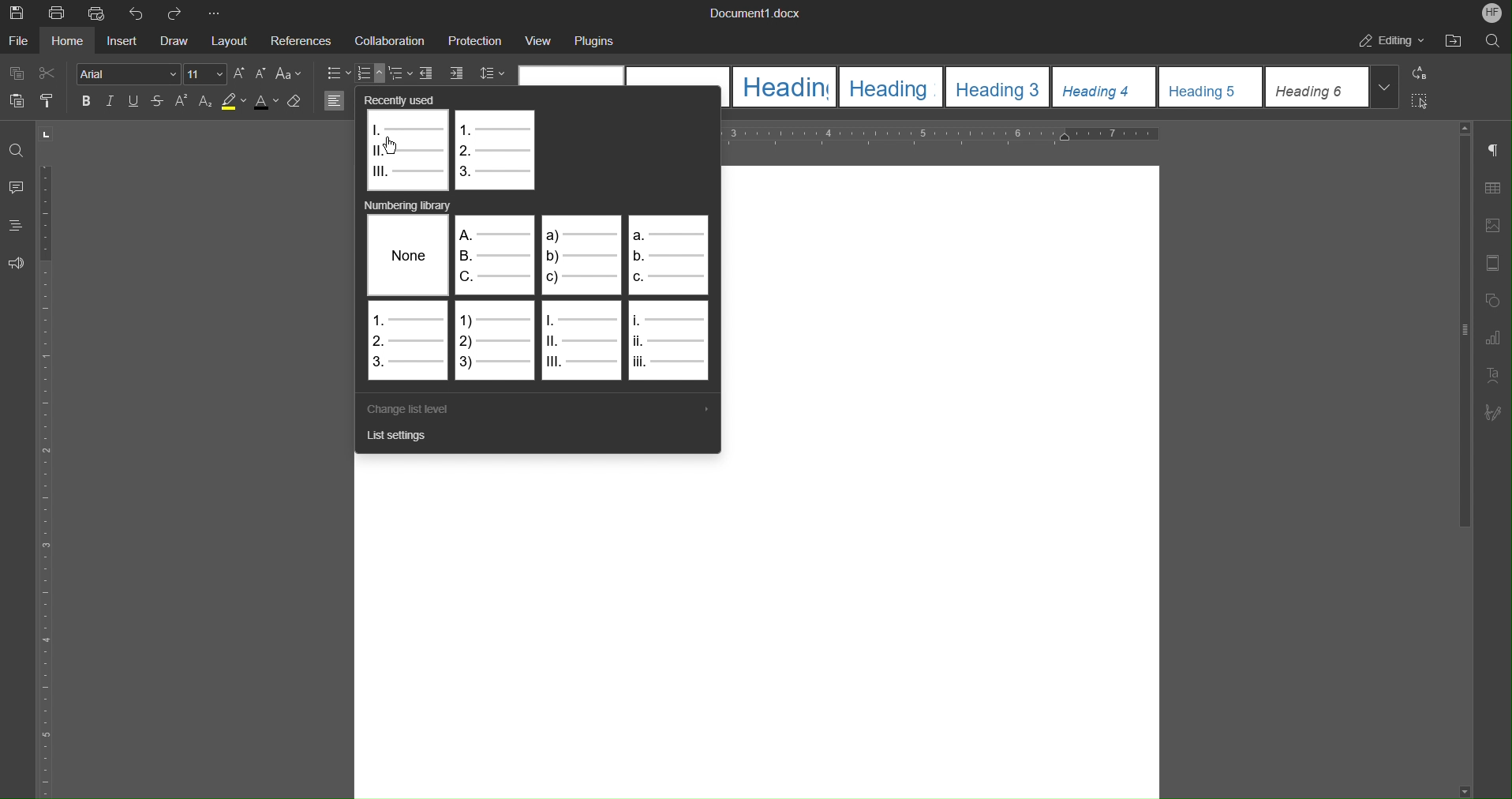 The image size is (1512, 799). What do you see at coordinates (406, 343) in the screenshot?
I see `Numbered List 1` at bounding box center [406, 343].